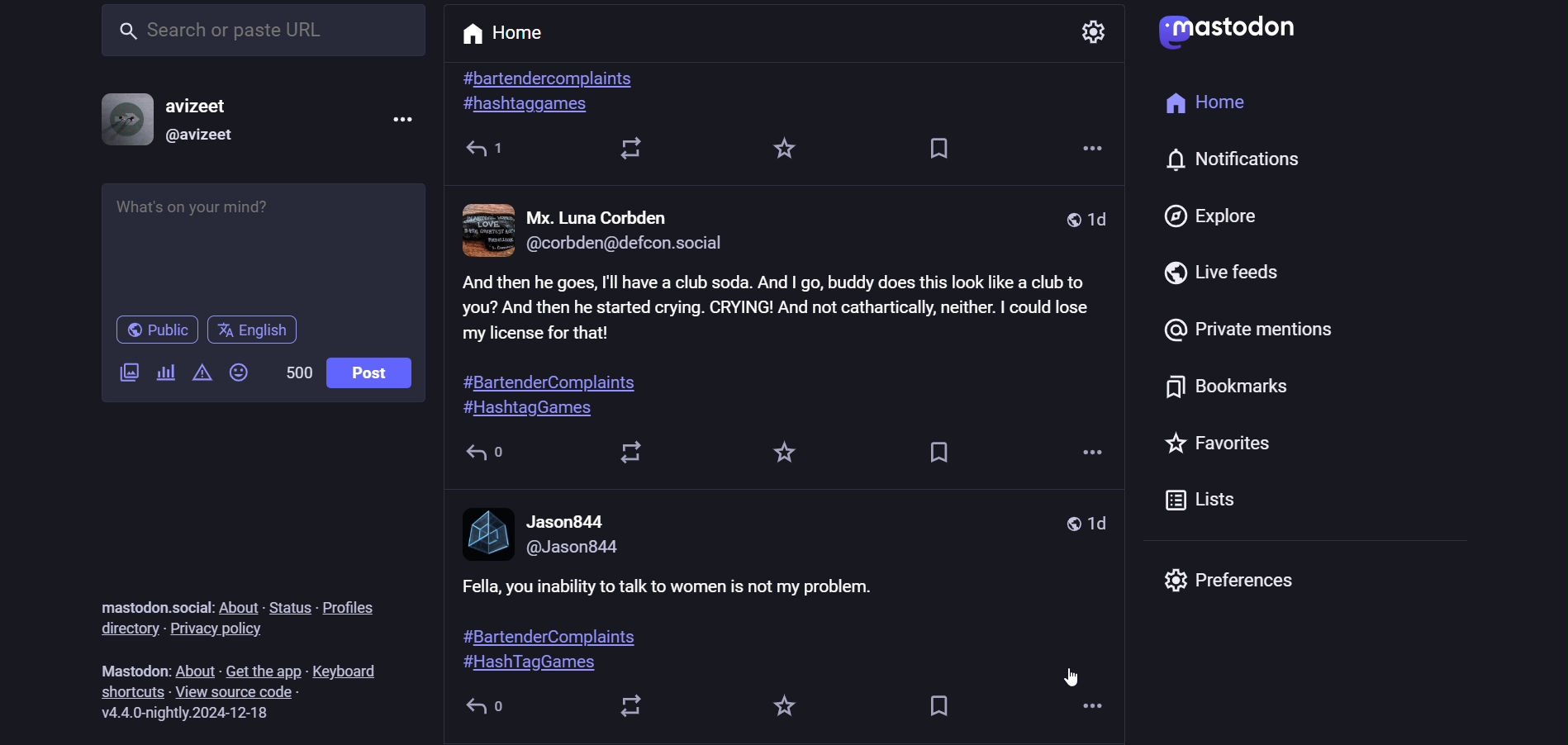 The image size is (1568, 745). I want to click on favourite, so click(787, 147).